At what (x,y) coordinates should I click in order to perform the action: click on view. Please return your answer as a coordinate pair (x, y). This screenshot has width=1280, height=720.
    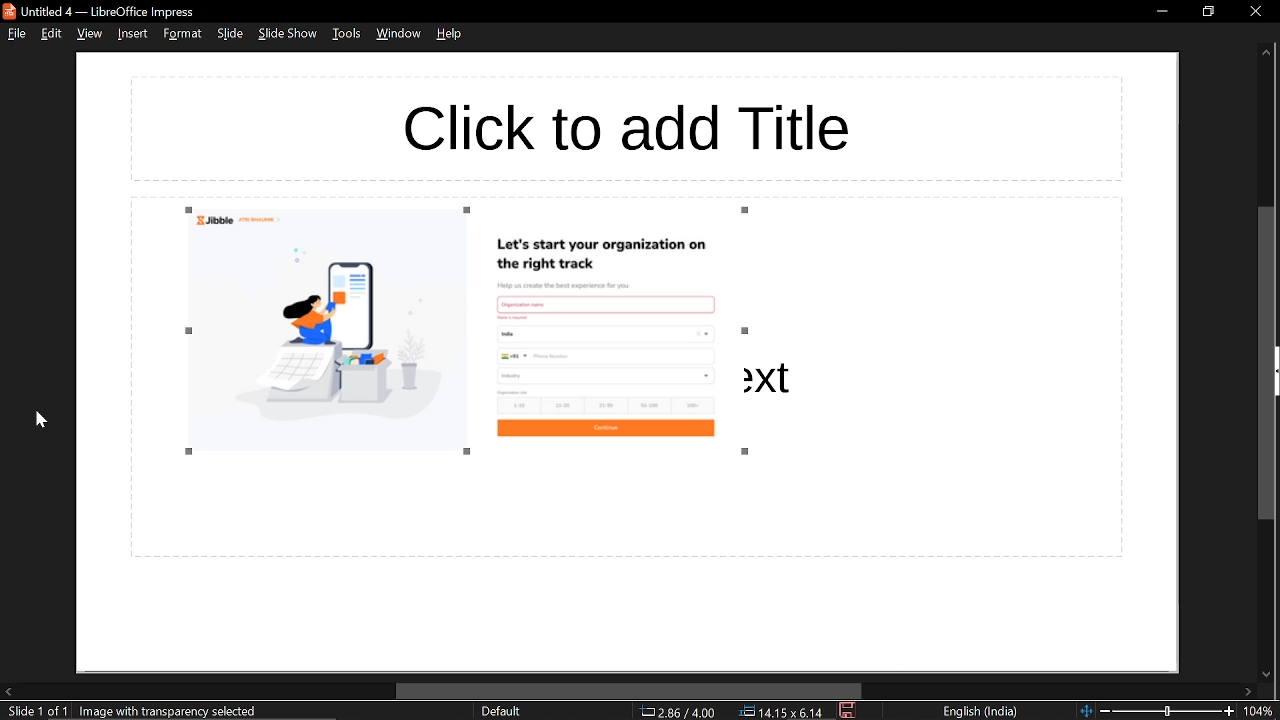
    Looking at the image, I should click on (89, 35).